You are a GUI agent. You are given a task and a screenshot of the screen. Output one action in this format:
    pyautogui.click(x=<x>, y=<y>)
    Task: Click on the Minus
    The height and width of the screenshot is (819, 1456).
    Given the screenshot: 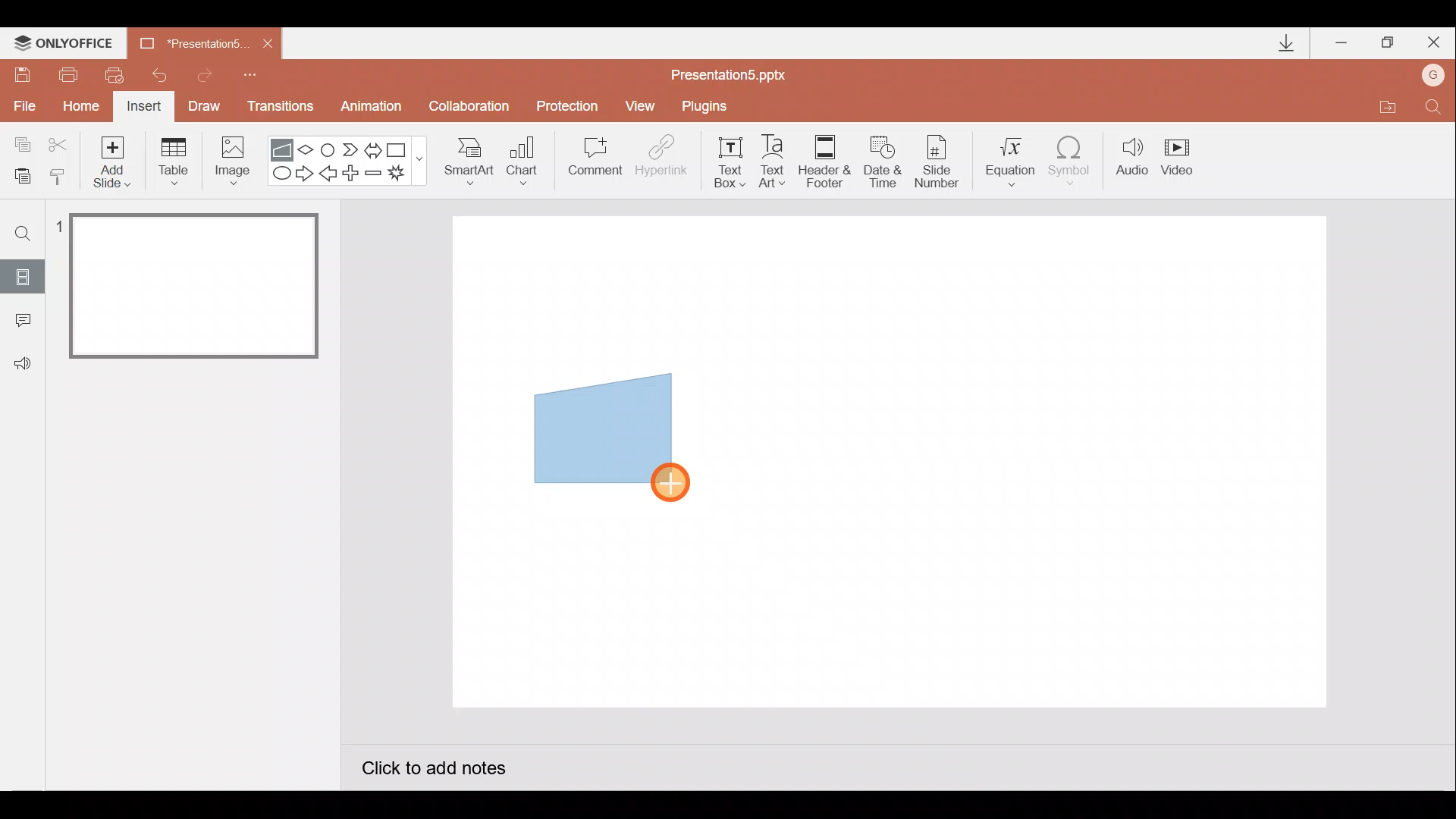 What is the action you would take?
    pyautogui.click(x=375, y=176)
    